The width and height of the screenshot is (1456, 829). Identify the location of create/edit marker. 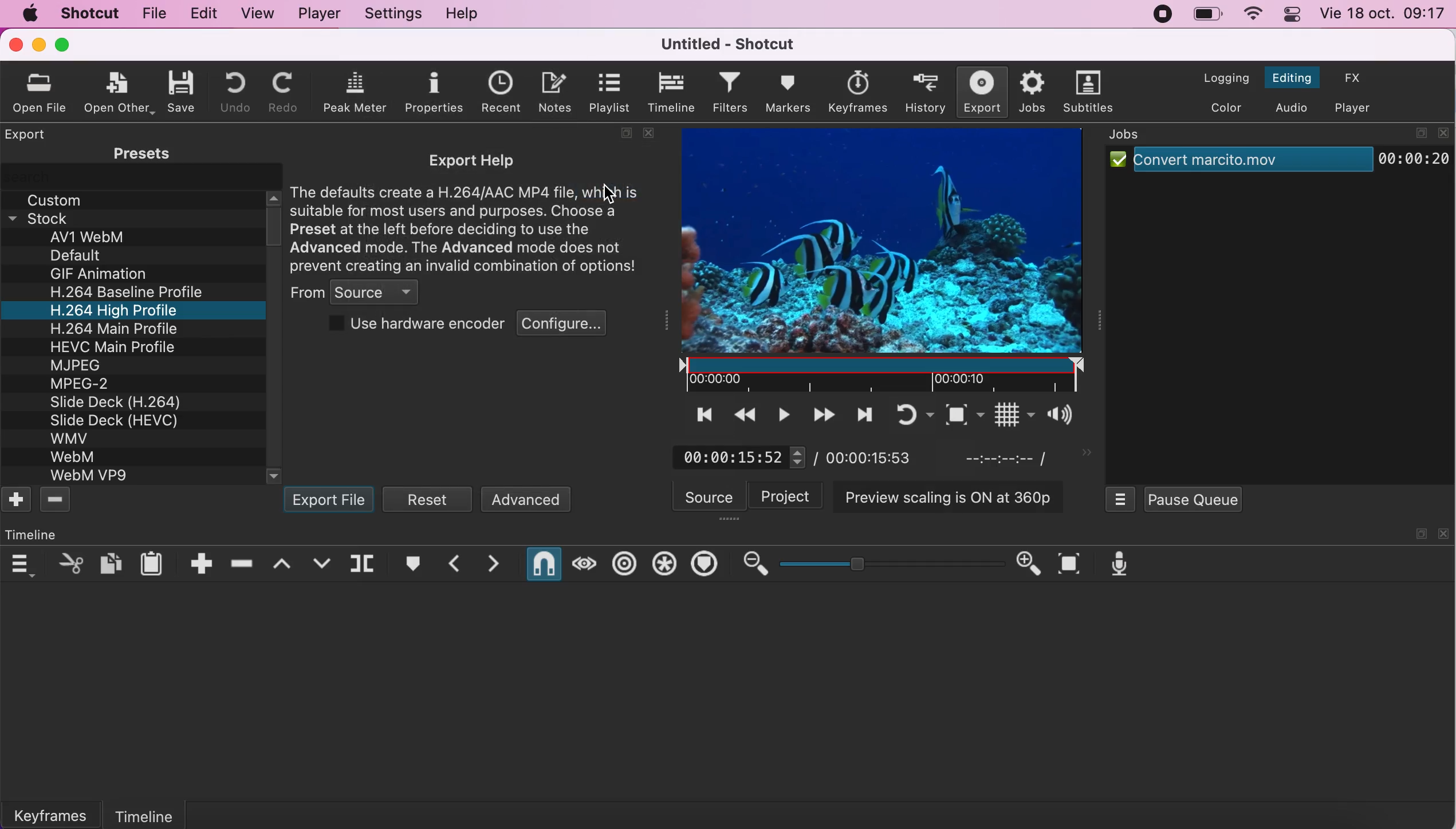
(411, 566).